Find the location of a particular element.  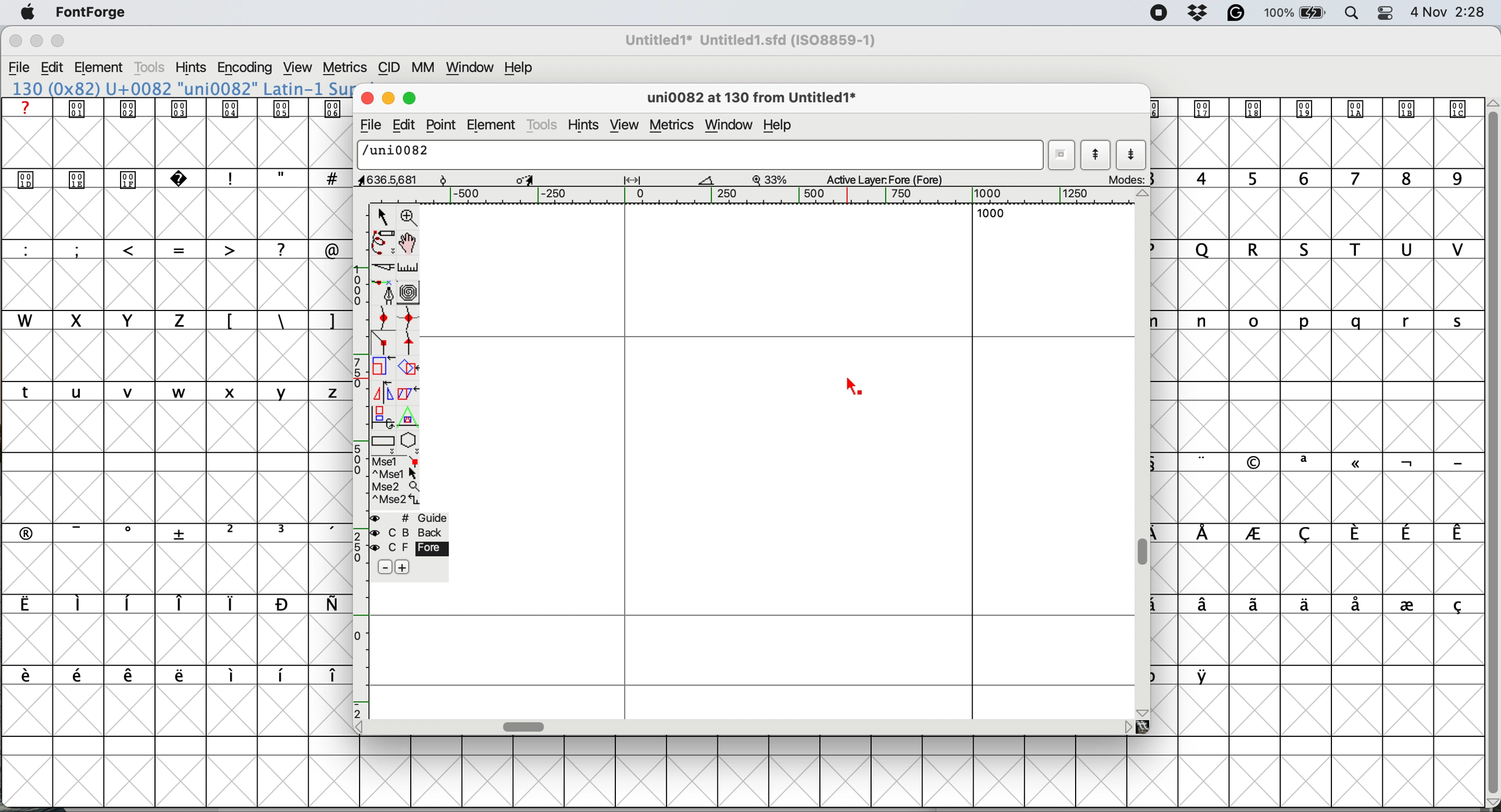

rotate the selection in 3d and project back to plane is located at coordinates (382, 416).